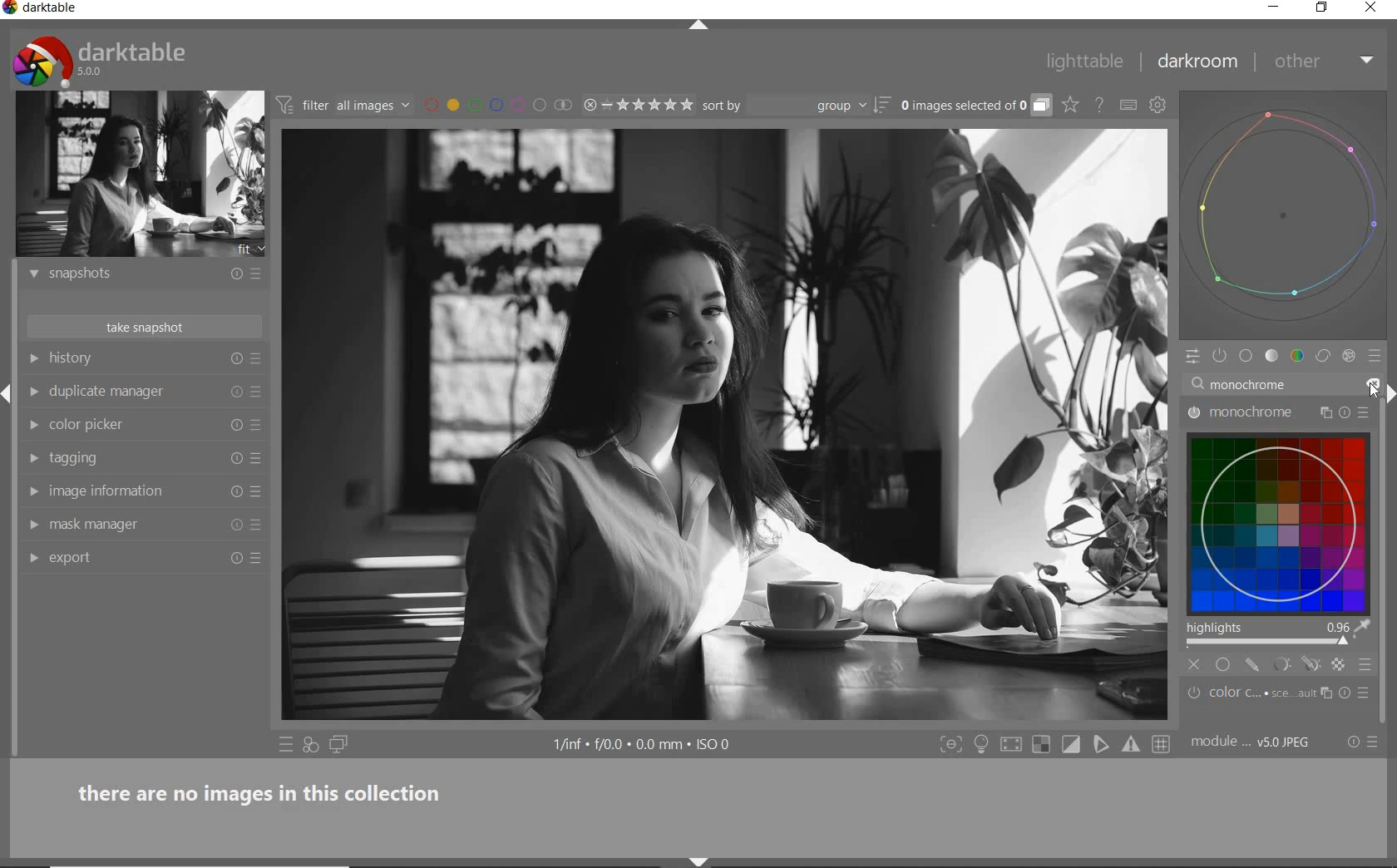  Describe the element at coordinates (1349, 358) in the screenshot. I see `effect` at that location.